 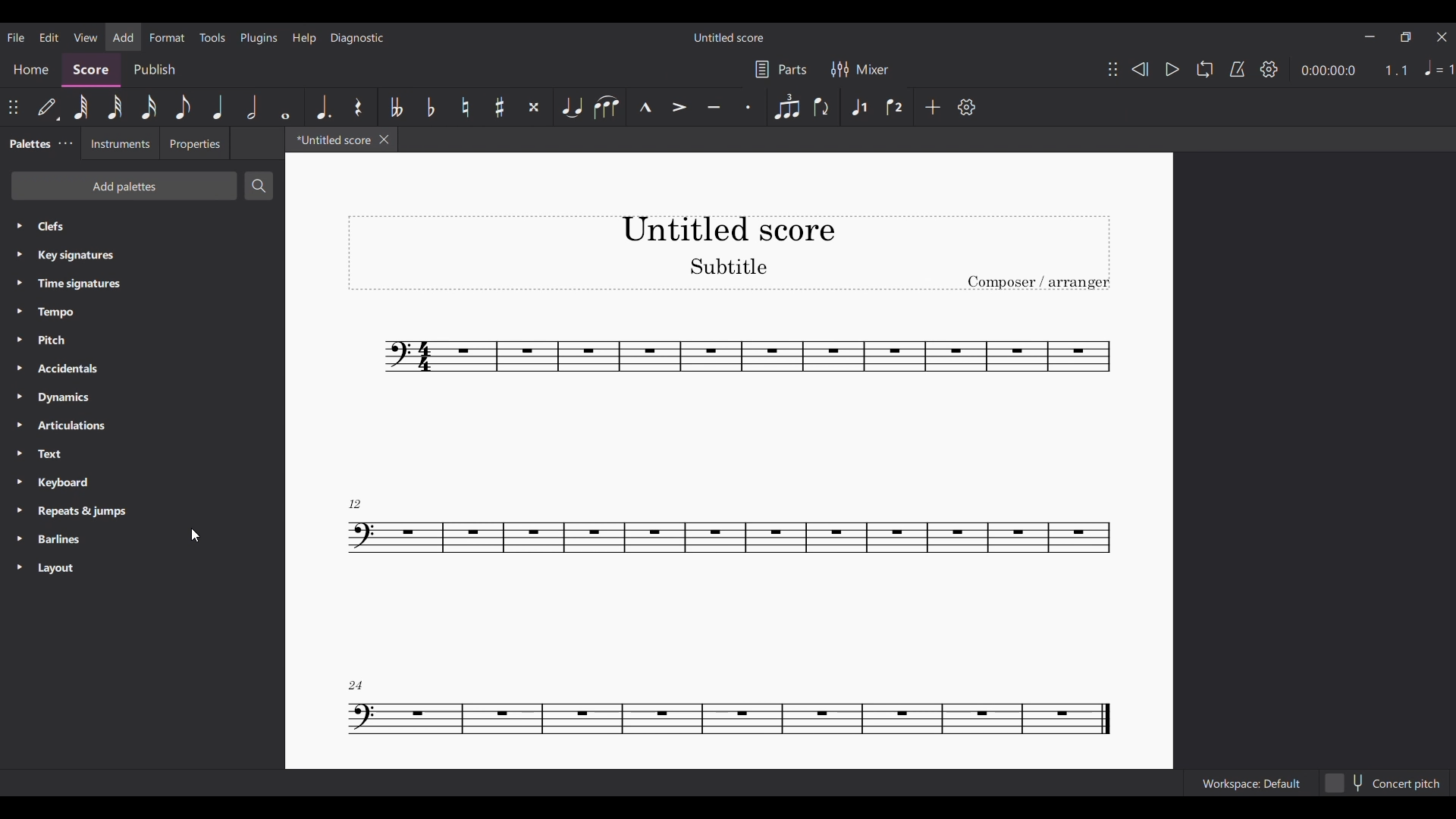 What do you see at coordinates (970, 108) in the screenshot?
I see `settings` at bounding box center [970, 108].